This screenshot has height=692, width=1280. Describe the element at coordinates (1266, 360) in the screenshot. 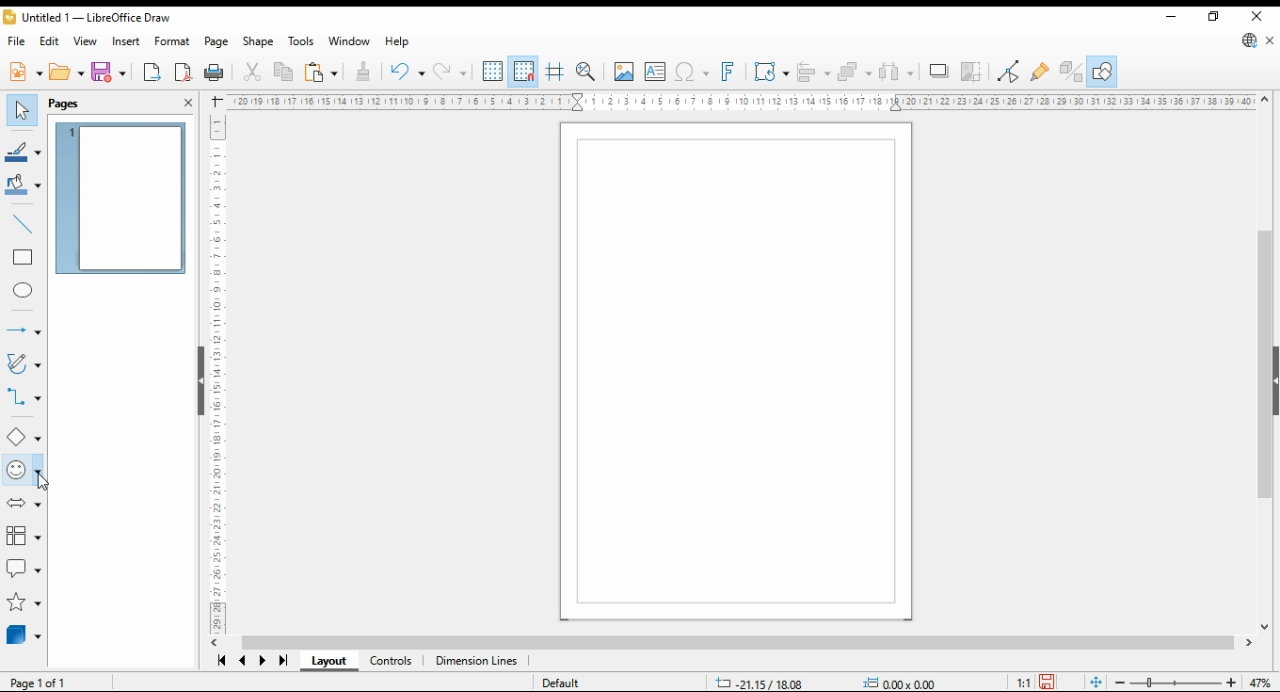

I see `scroll bar` at that location.